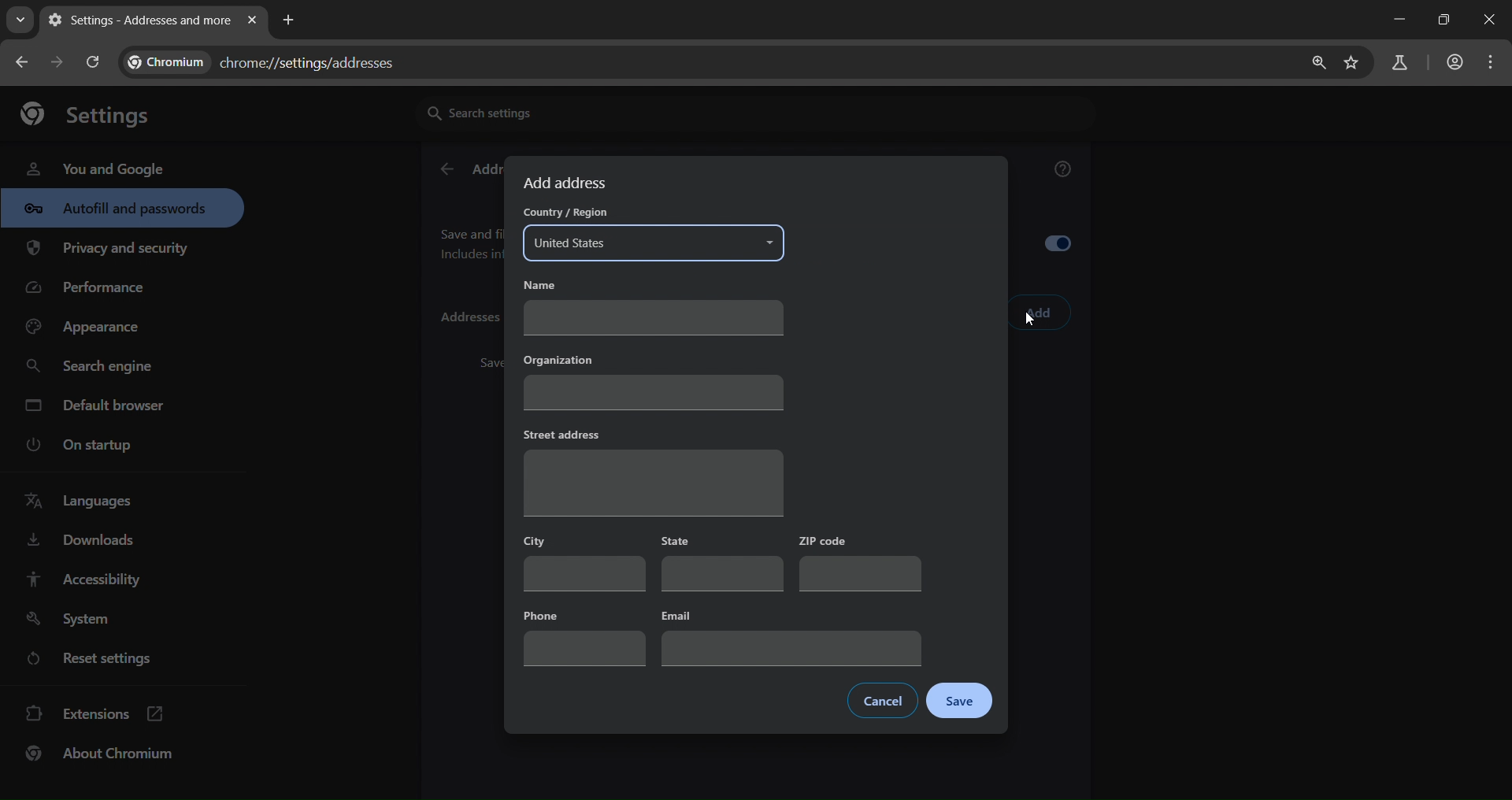  I want to click on bookmark page, so click(1352, 64).